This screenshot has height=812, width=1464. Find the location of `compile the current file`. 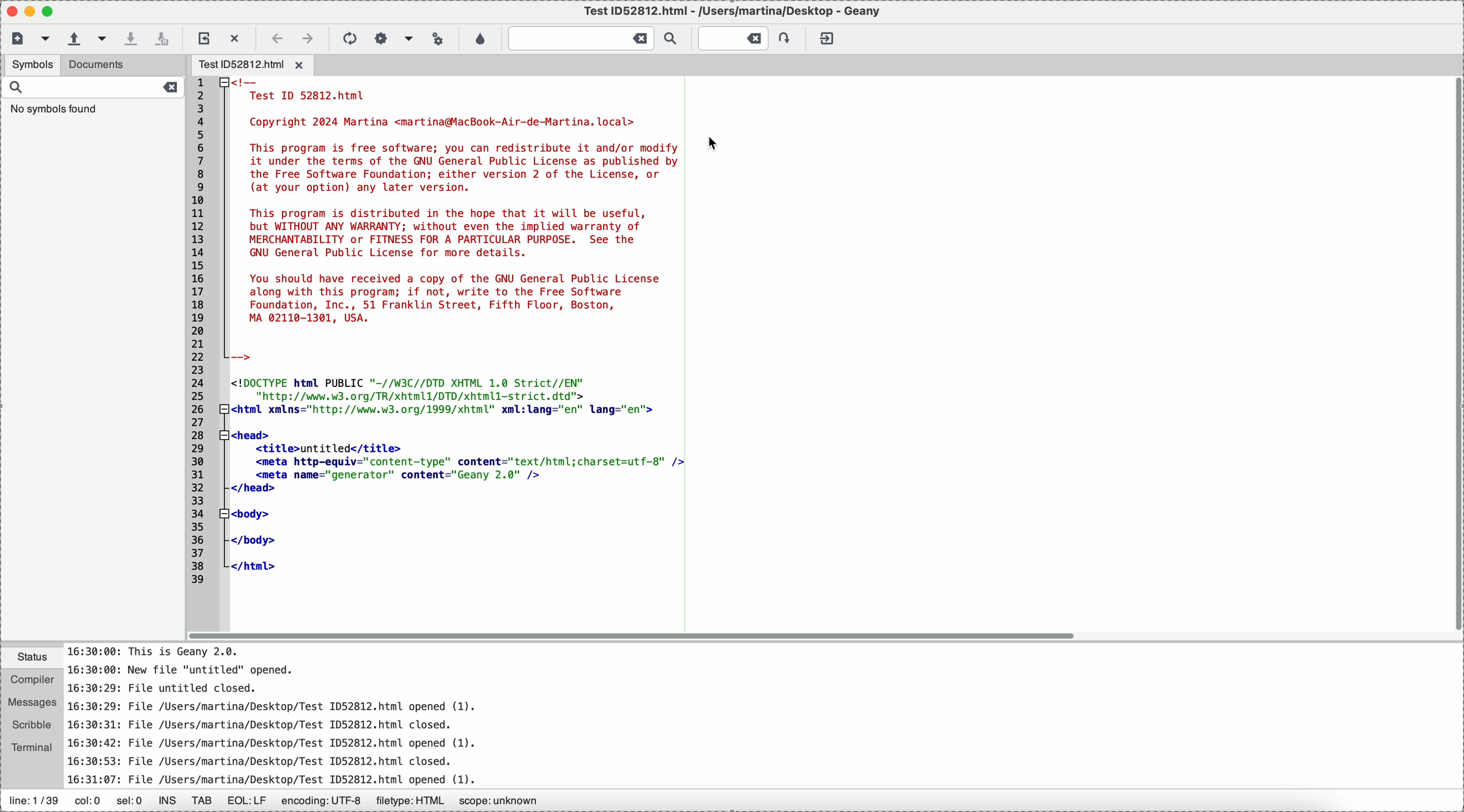

compile the current file is located at coordinates (350, 38).